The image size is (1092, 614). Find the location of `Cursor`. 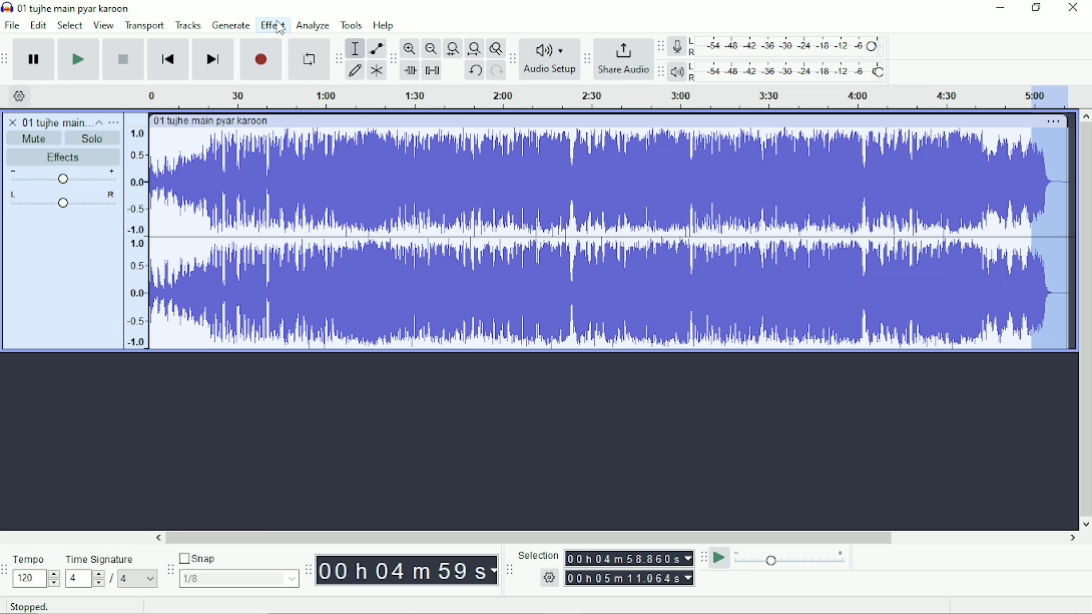

Cursor is located at coordinates (281, 27).